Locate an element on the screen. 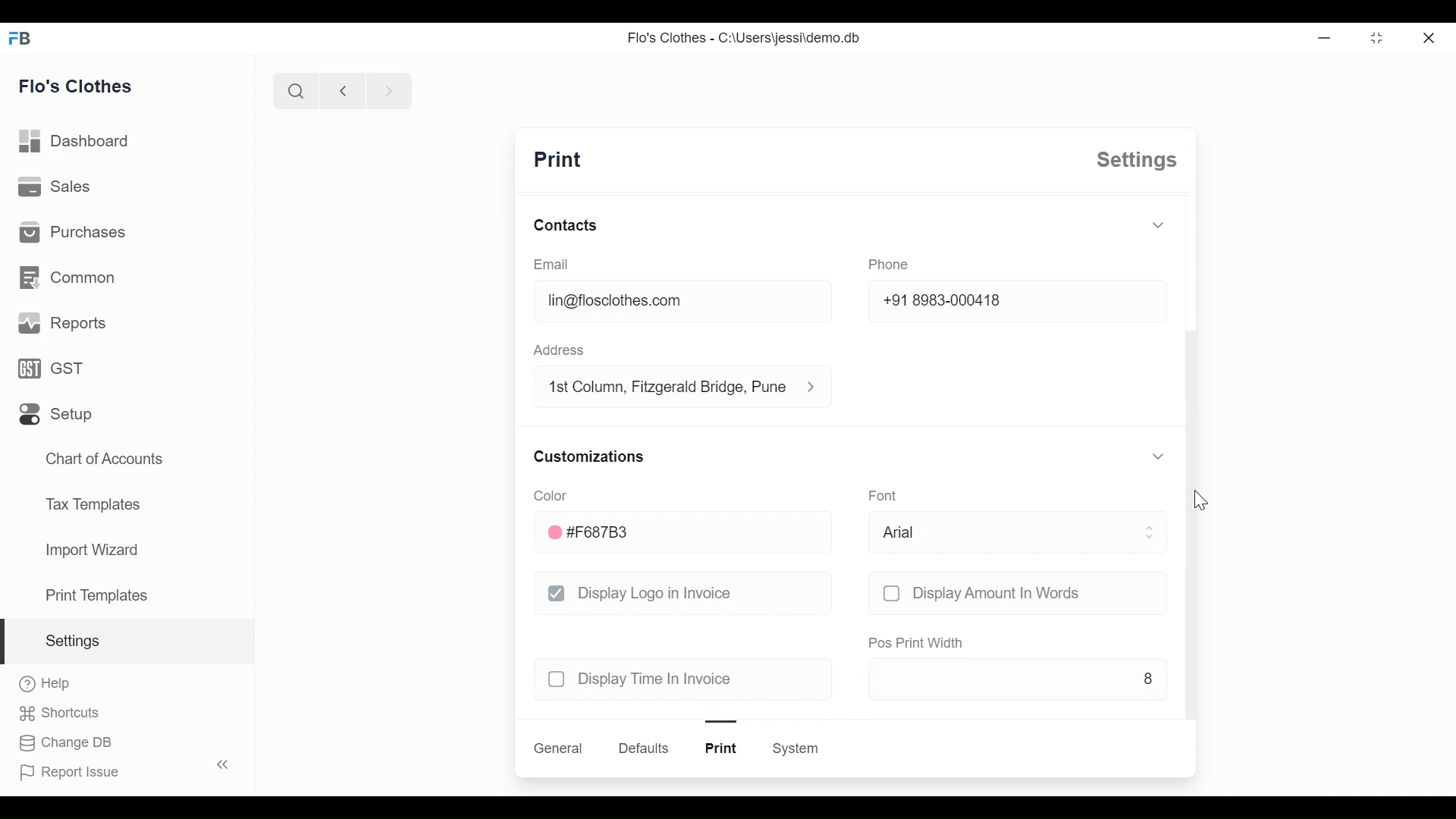  GST is located at coordinates (50, 368).